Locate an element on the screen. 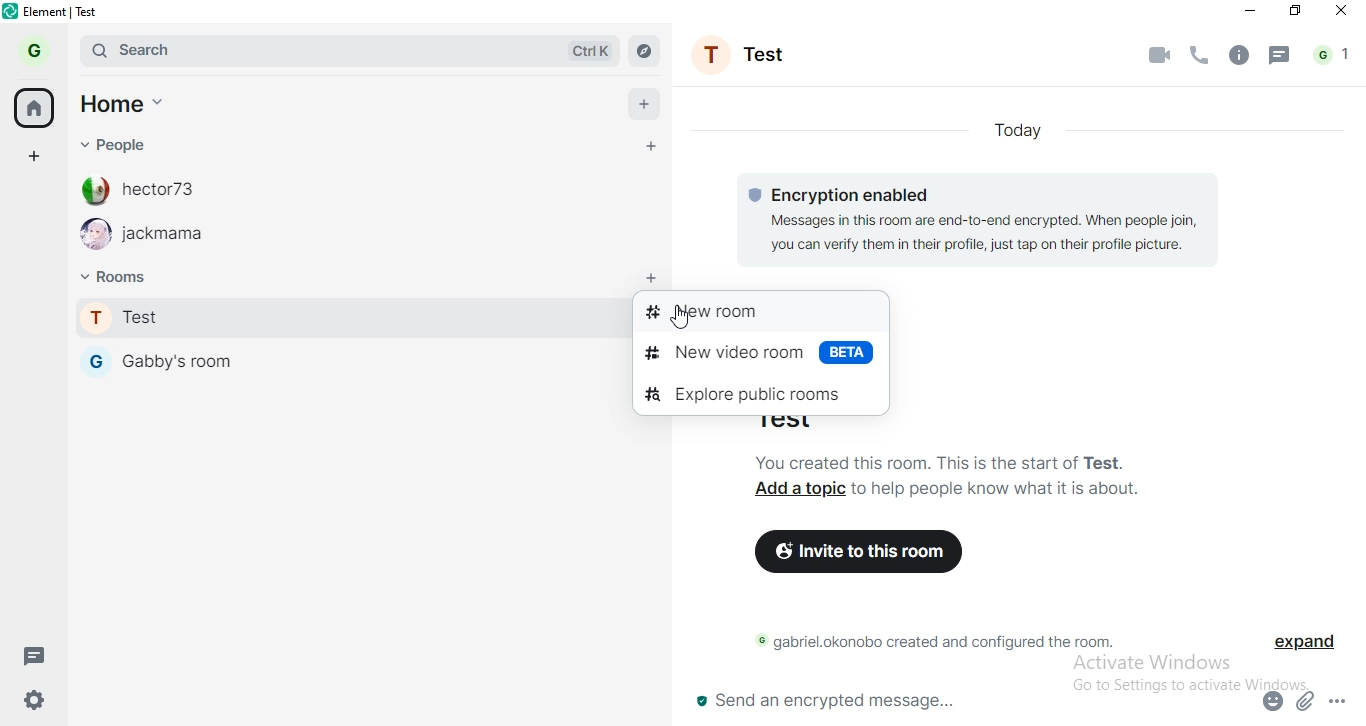  home is located at coordinates (121, 103).